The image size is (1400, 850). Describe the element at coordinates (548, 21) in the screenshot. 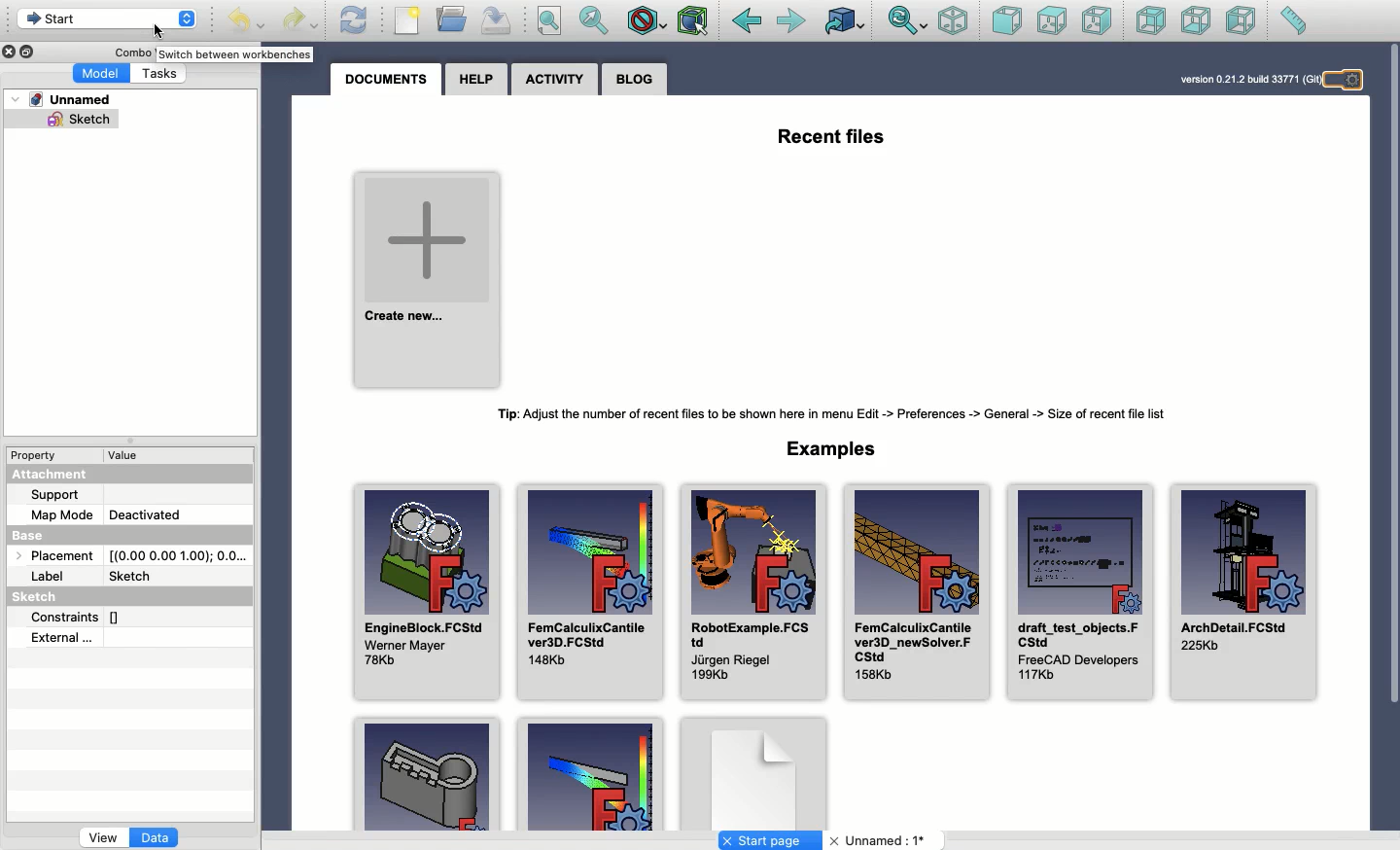

I see `Fit all` at that location.